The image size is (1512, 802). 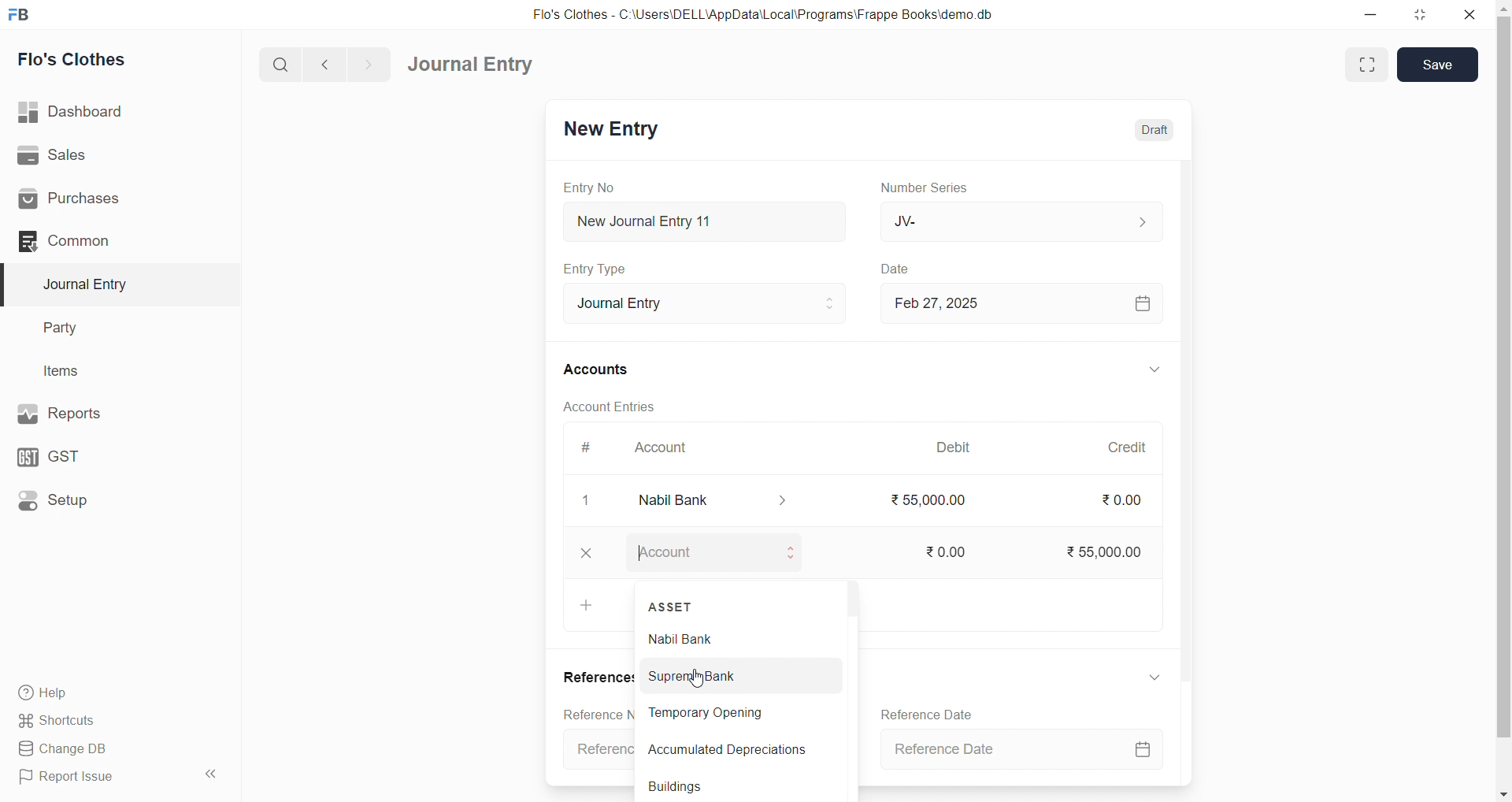 What do you see at coordinates (327, 65) in the screenshot?
I see `navigate backward` at bounding box center [327, 65].